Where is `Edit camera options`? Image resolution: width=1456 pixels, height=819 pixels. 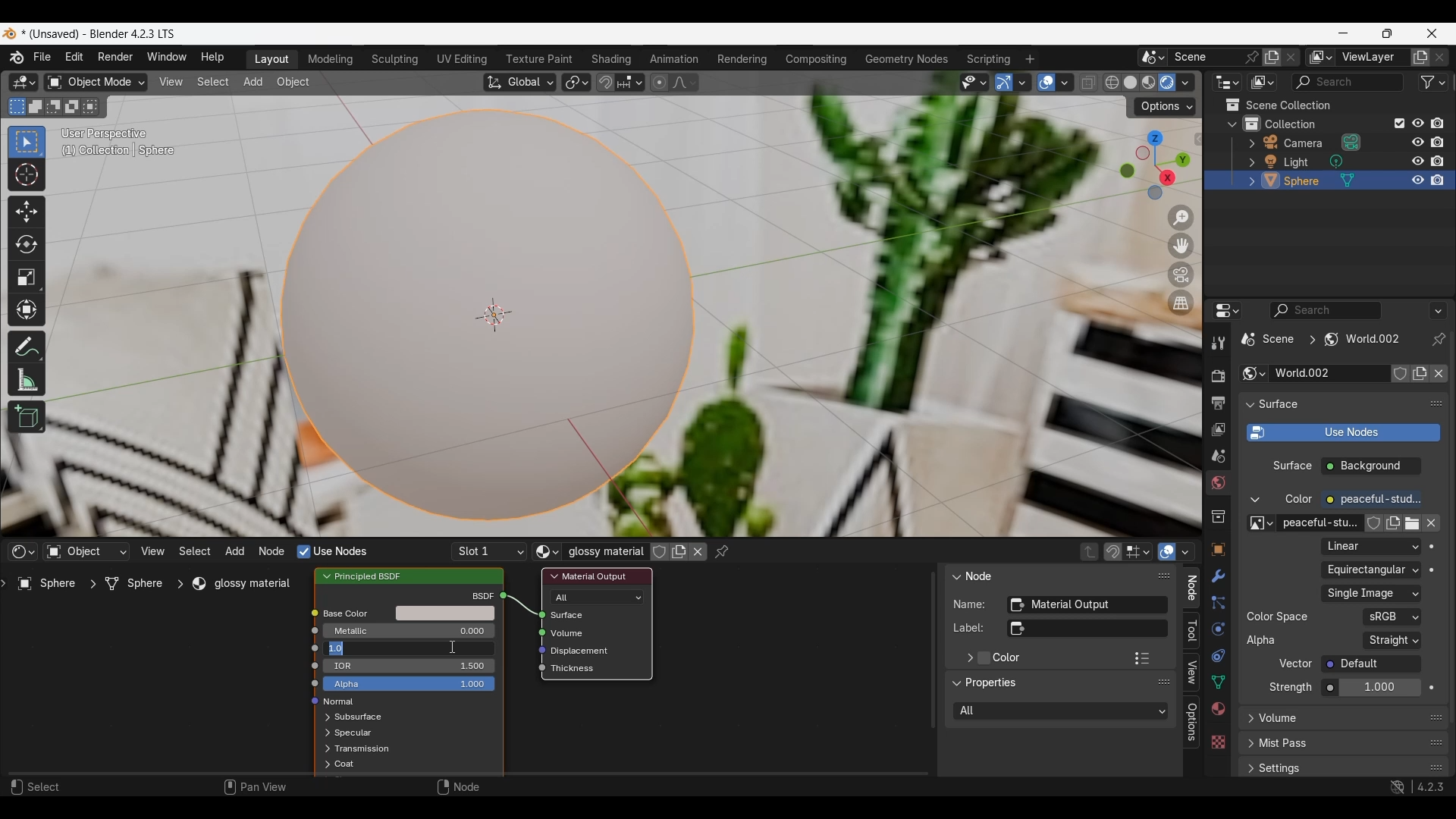
Edit camera options is located at coordinates (1271, 142).